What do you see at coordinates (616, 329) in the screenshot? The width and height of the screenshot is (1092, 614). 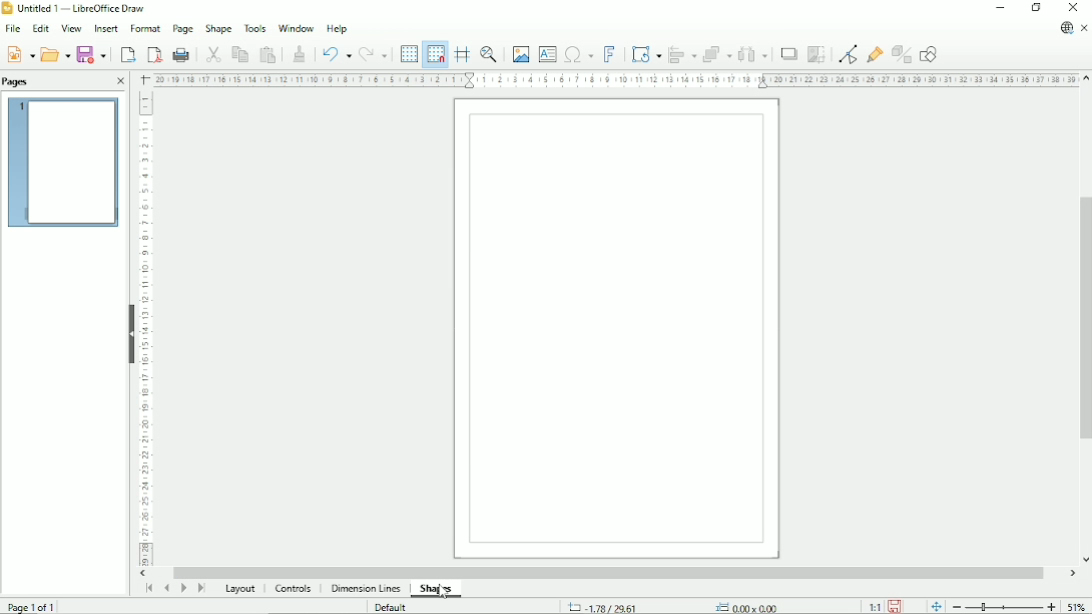 I see `Canvas` at bounding box center [616, 329].